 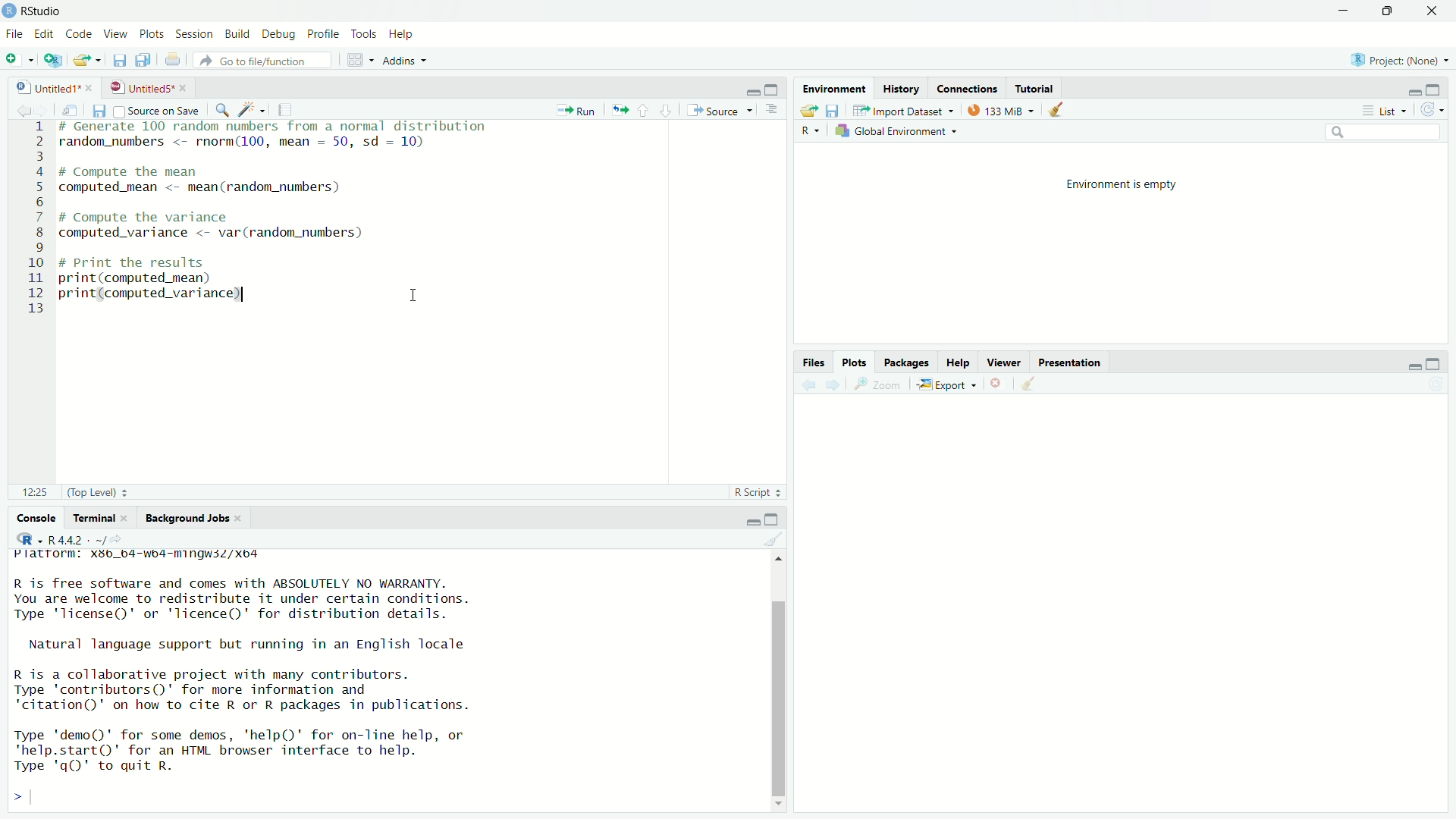 I want to click on # generate 100 random numbers from a normal distribution, so click(x=277, y=127).